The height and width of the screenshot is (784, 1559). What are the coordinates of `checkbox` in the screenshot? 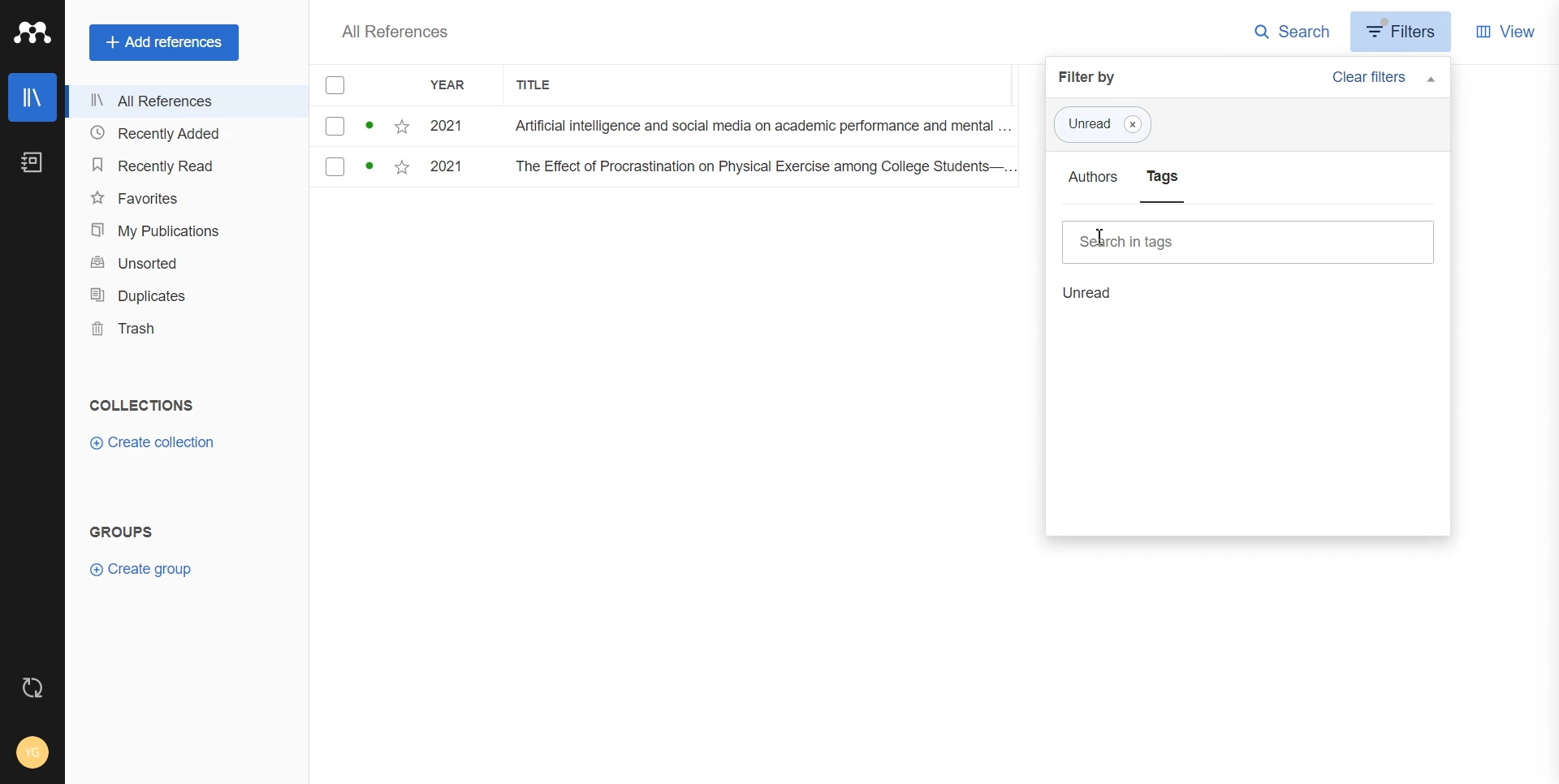 It's located at (363, 168).